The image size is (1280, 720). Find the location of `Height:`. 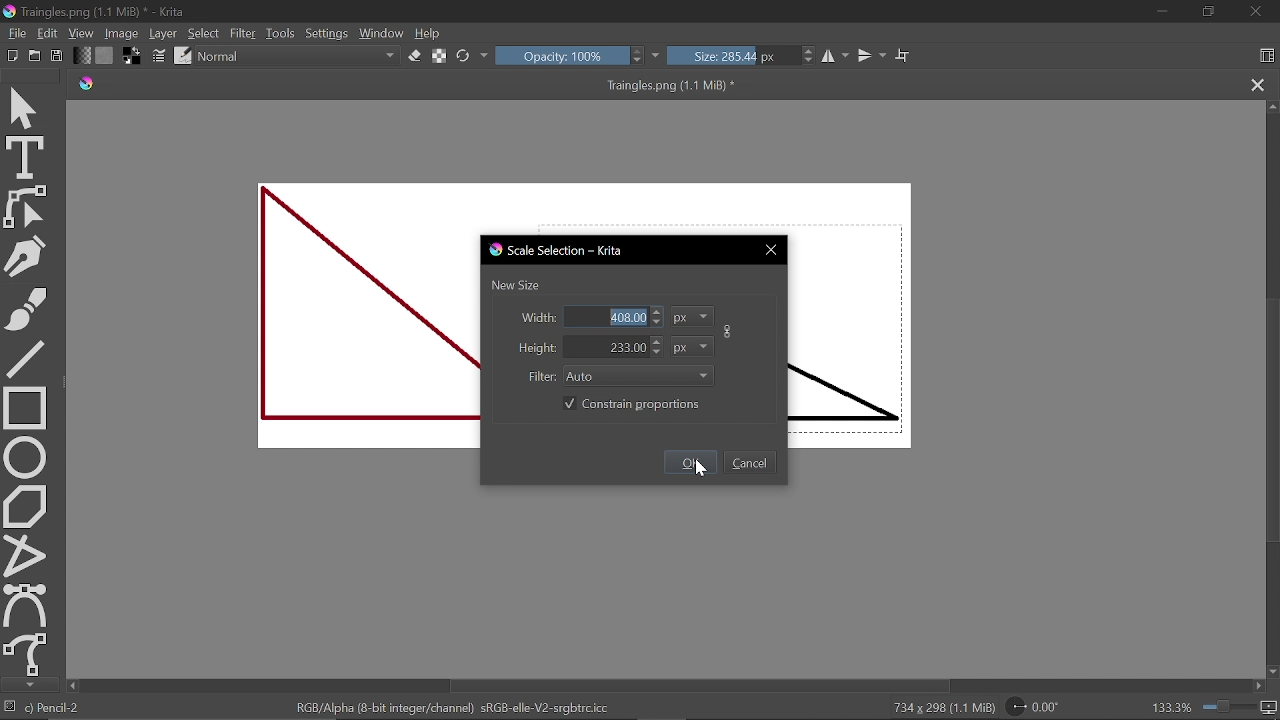

Height: is located at coordinates (534, 348).